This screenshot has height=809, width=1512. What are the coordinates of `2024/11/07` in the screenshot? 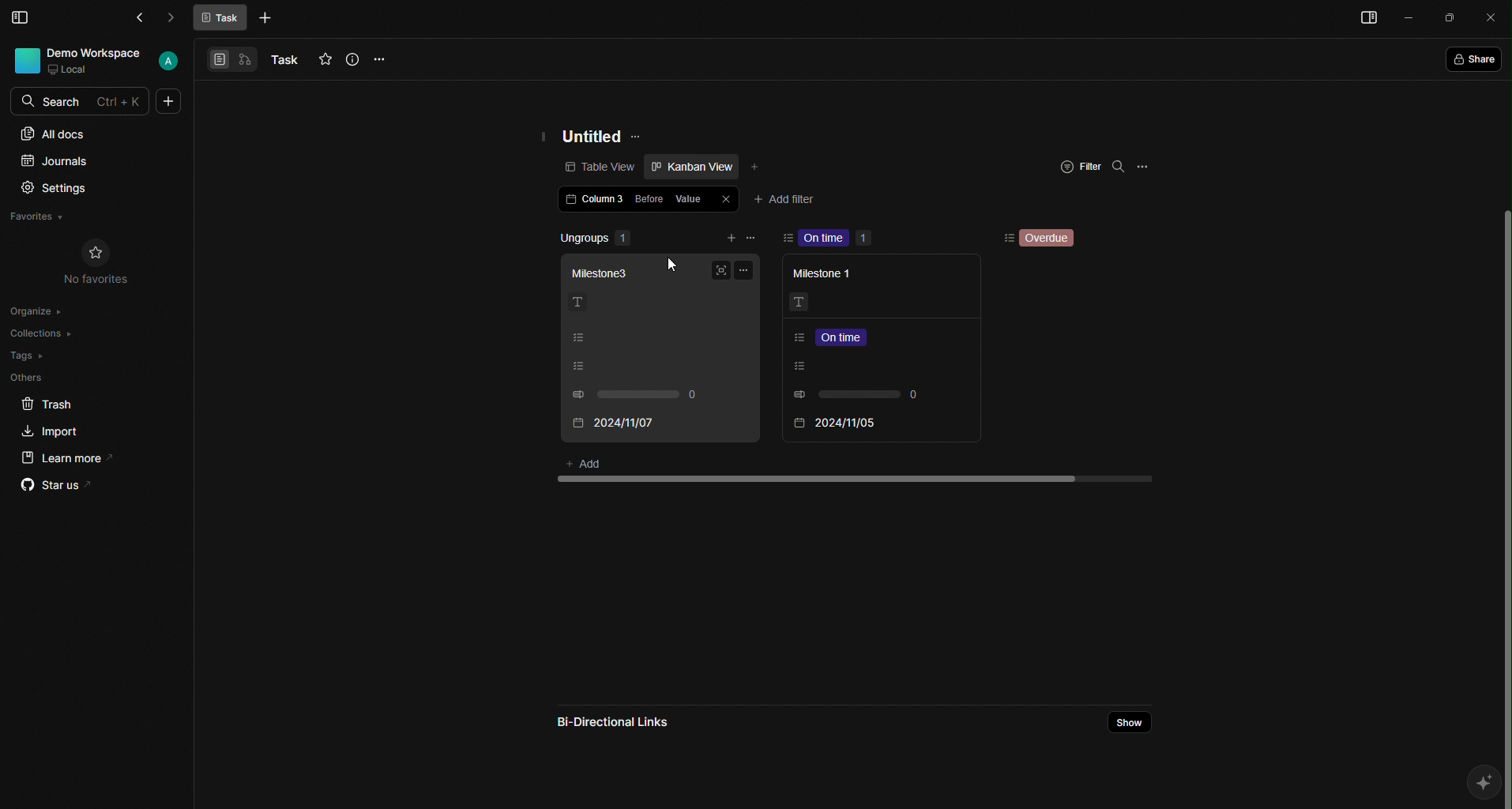 It's located at (835, 423).